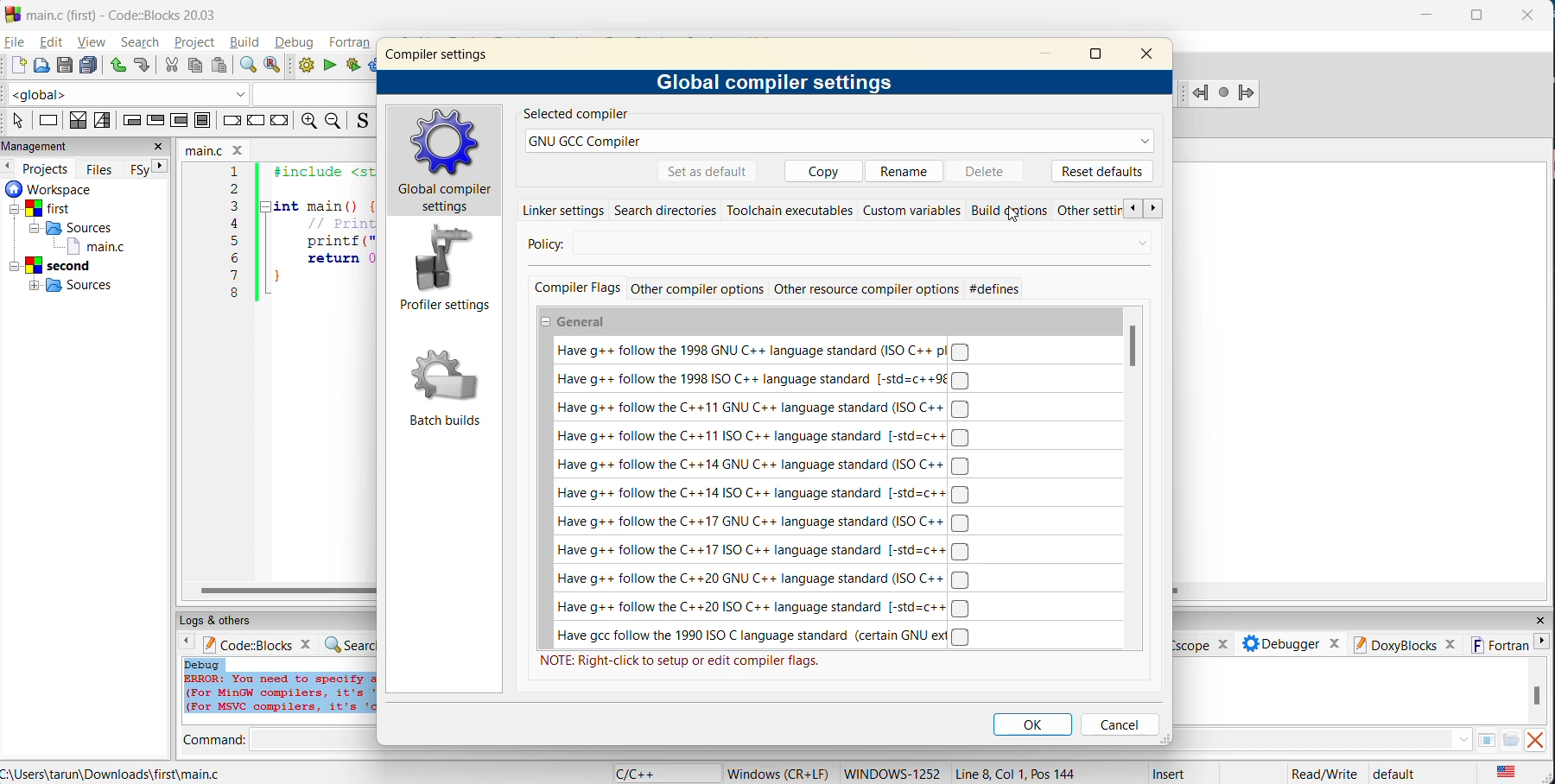  Describe the element at coordinates (143, 66) in the screenshot. I see `redo` at that location.